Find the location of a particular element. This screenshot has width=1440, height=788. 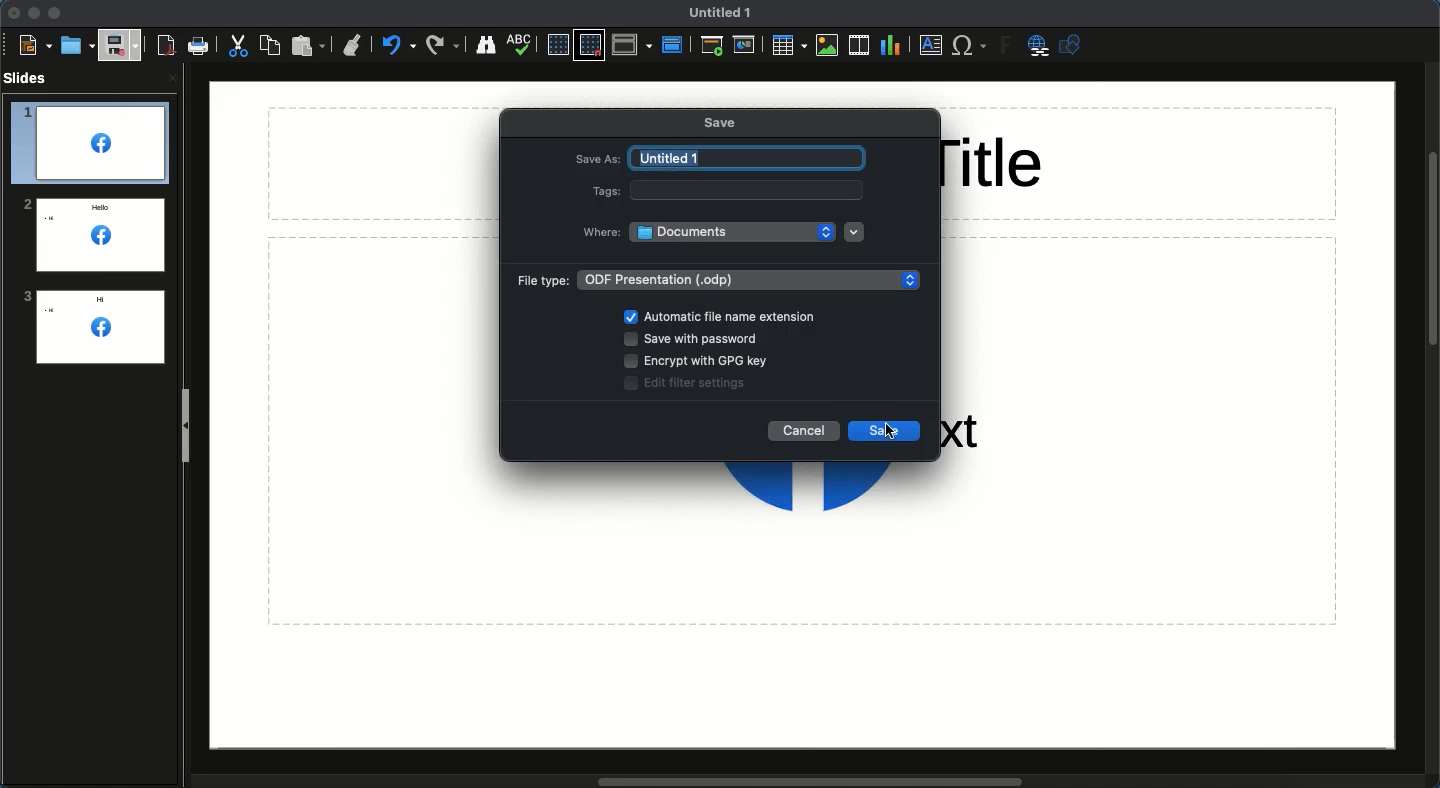

Current slide is located at coordinates (746, 48).